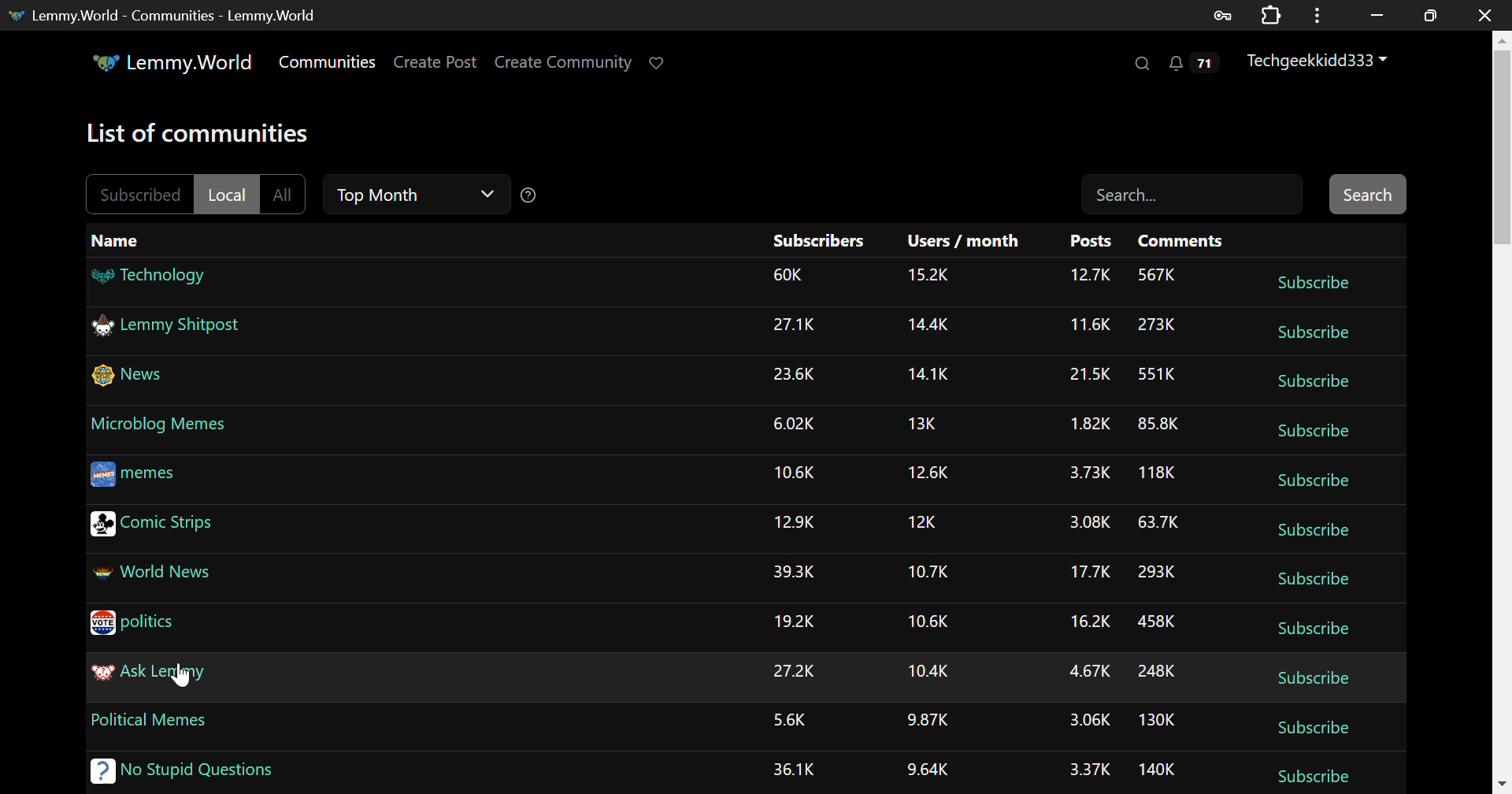  Describe the element at coordinates (928, 672) in the screenshot. I see `Amount` at that location.